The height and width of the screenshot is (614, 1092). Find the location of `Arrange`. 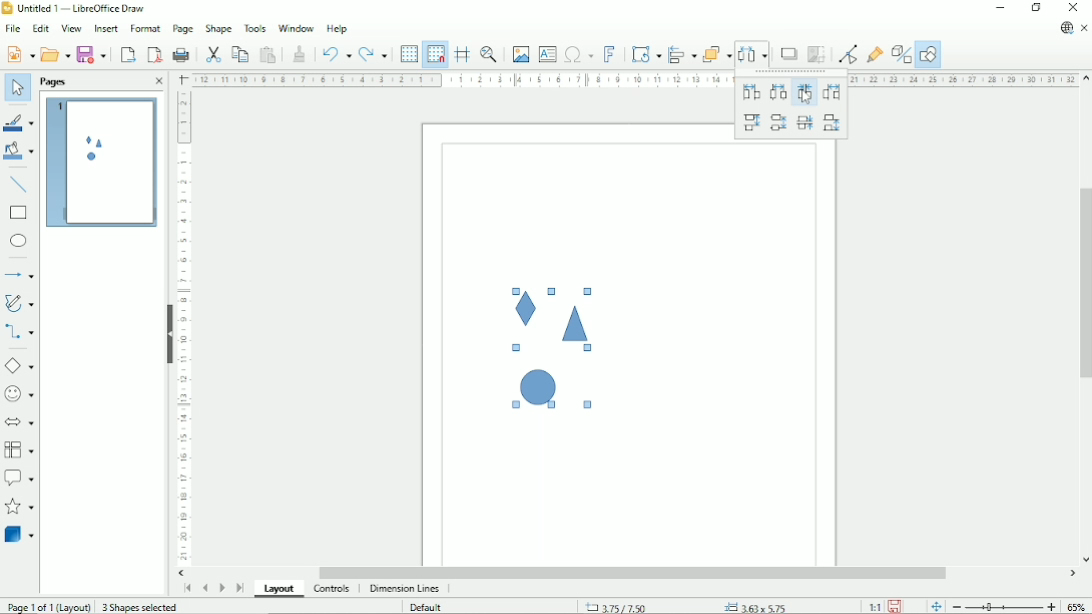

Arrange is located at coordinates (718, 54).